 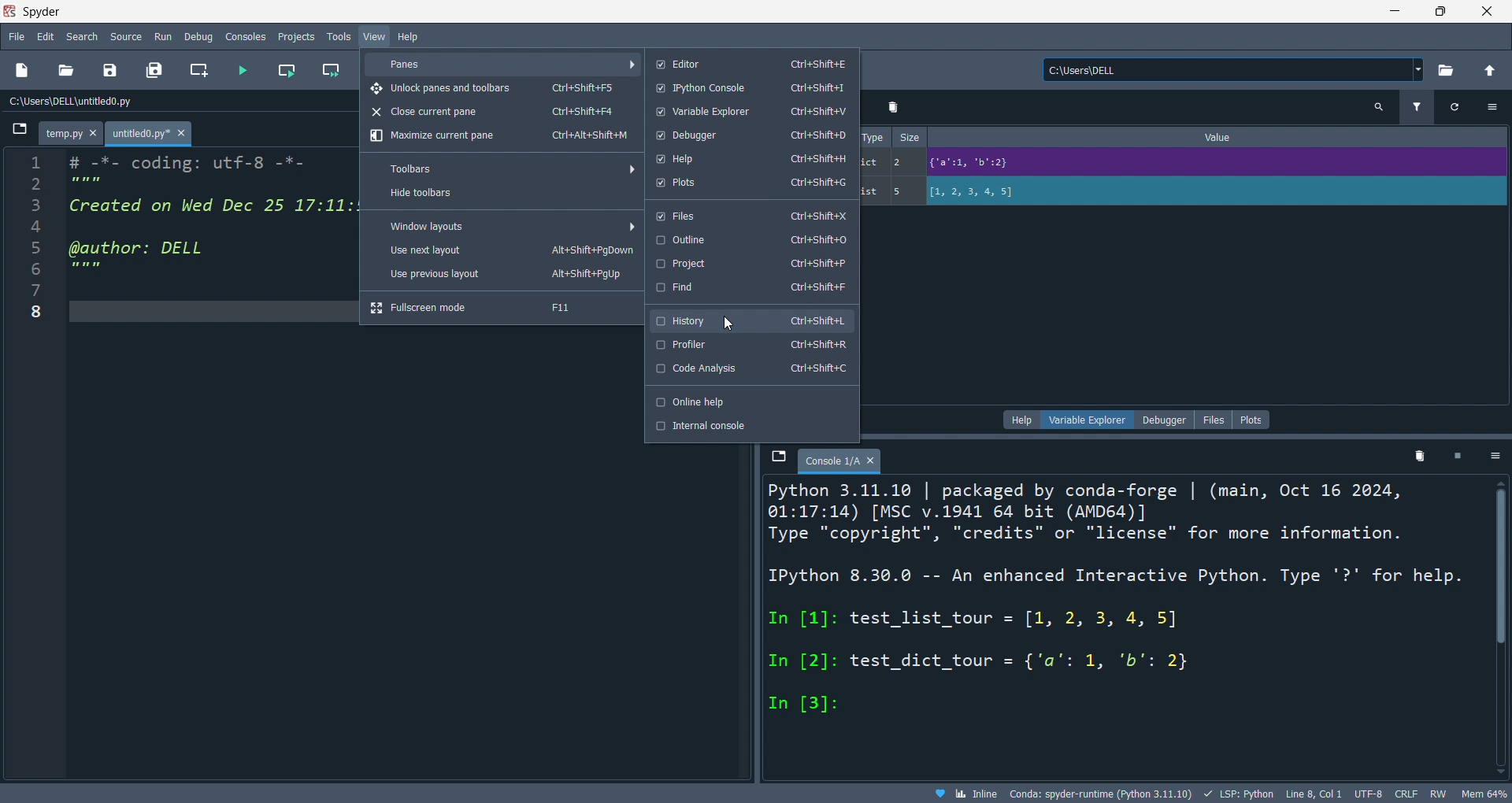 I want to click on open directory, so click(x=1445, y=71).